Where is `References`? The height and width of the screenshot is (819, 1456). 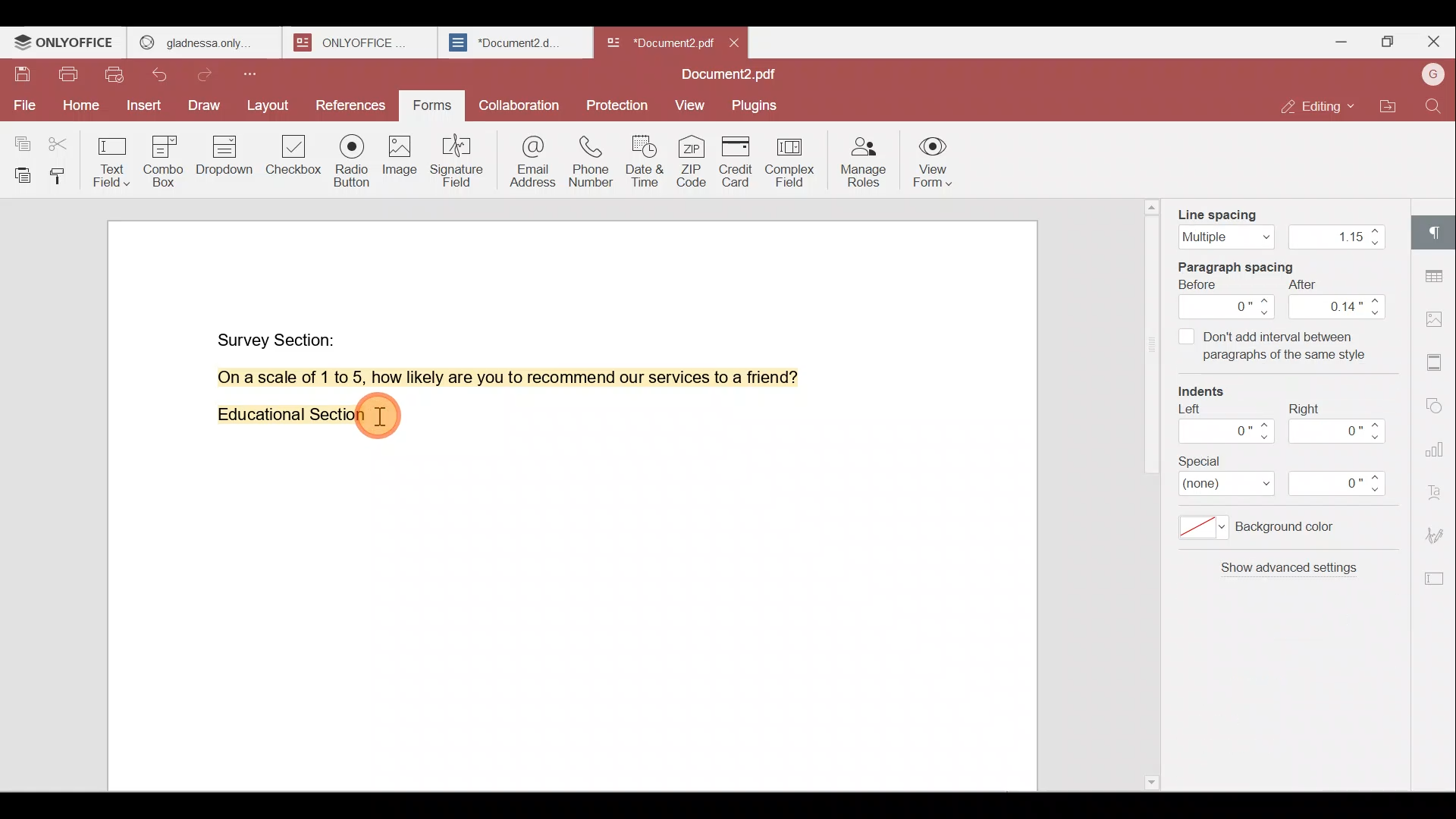
References is located at coordinates (352, 107).